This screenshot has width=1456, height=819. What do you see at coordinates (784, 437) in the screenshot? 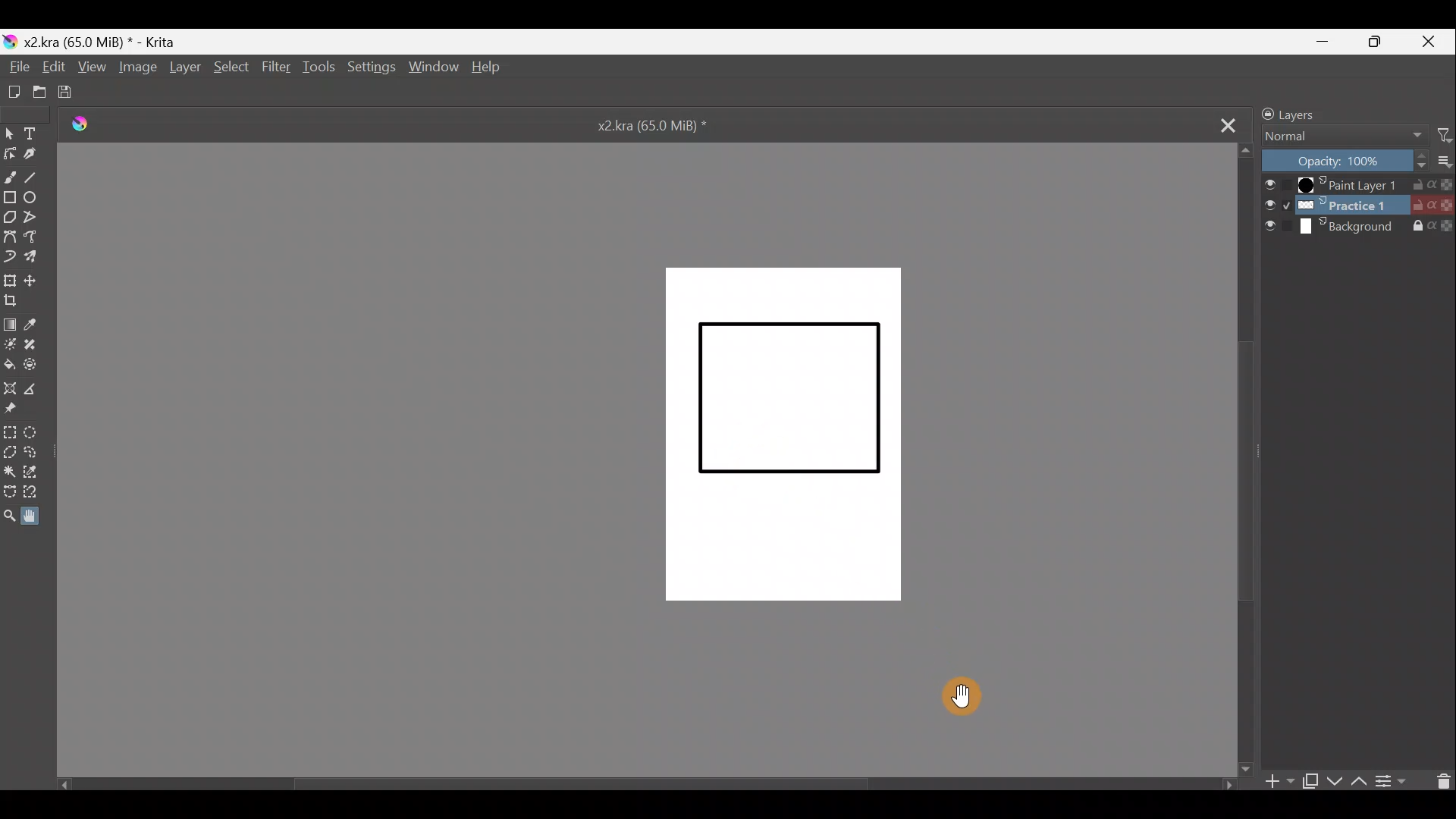
I see `Canvas after panning` at bounding box center [784, 437].